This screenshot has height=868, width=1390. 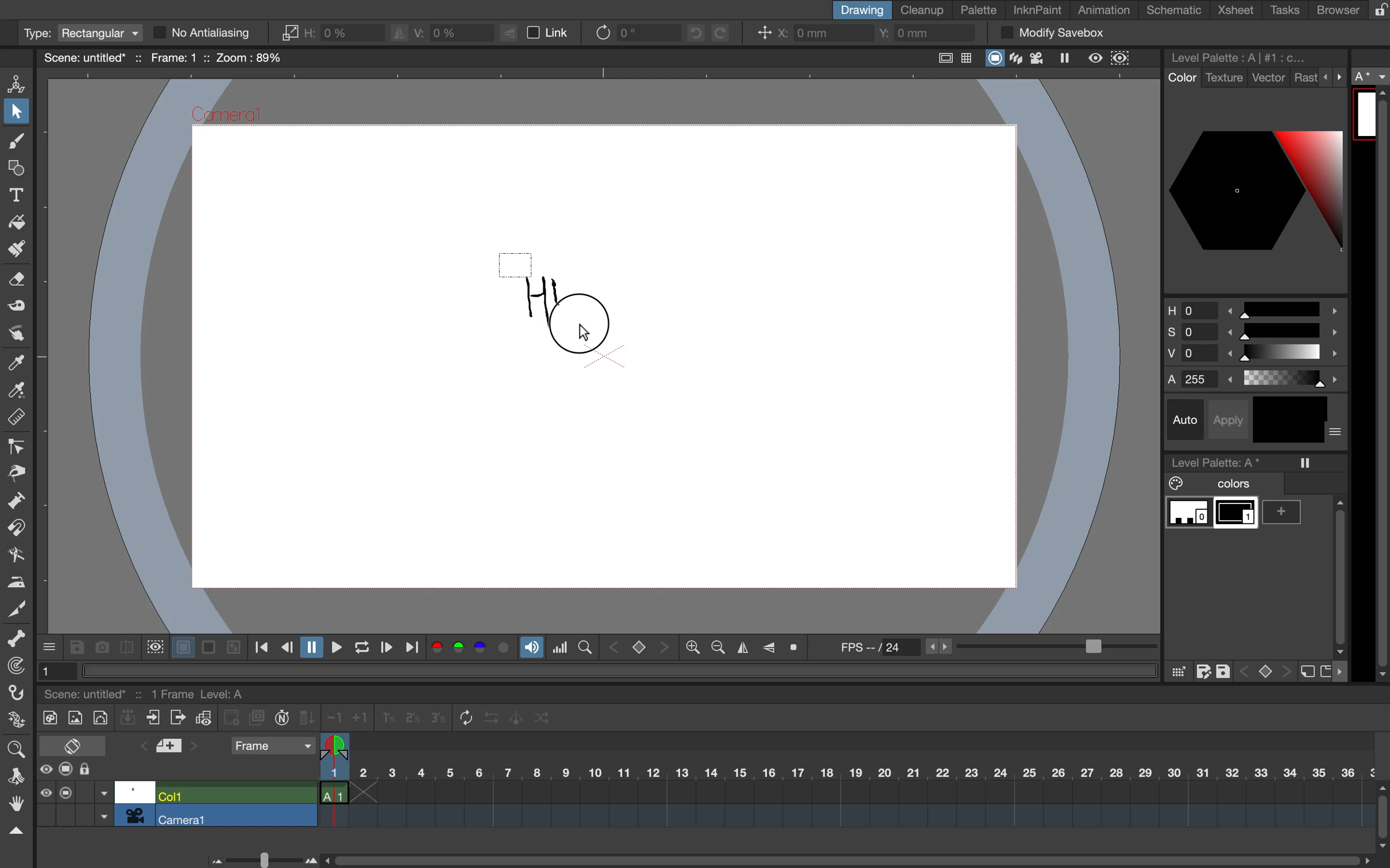 What do you see at coordinates (1264, 670) in the screenshot?
I see `switch between keys` at bounding box center [1264, 670].